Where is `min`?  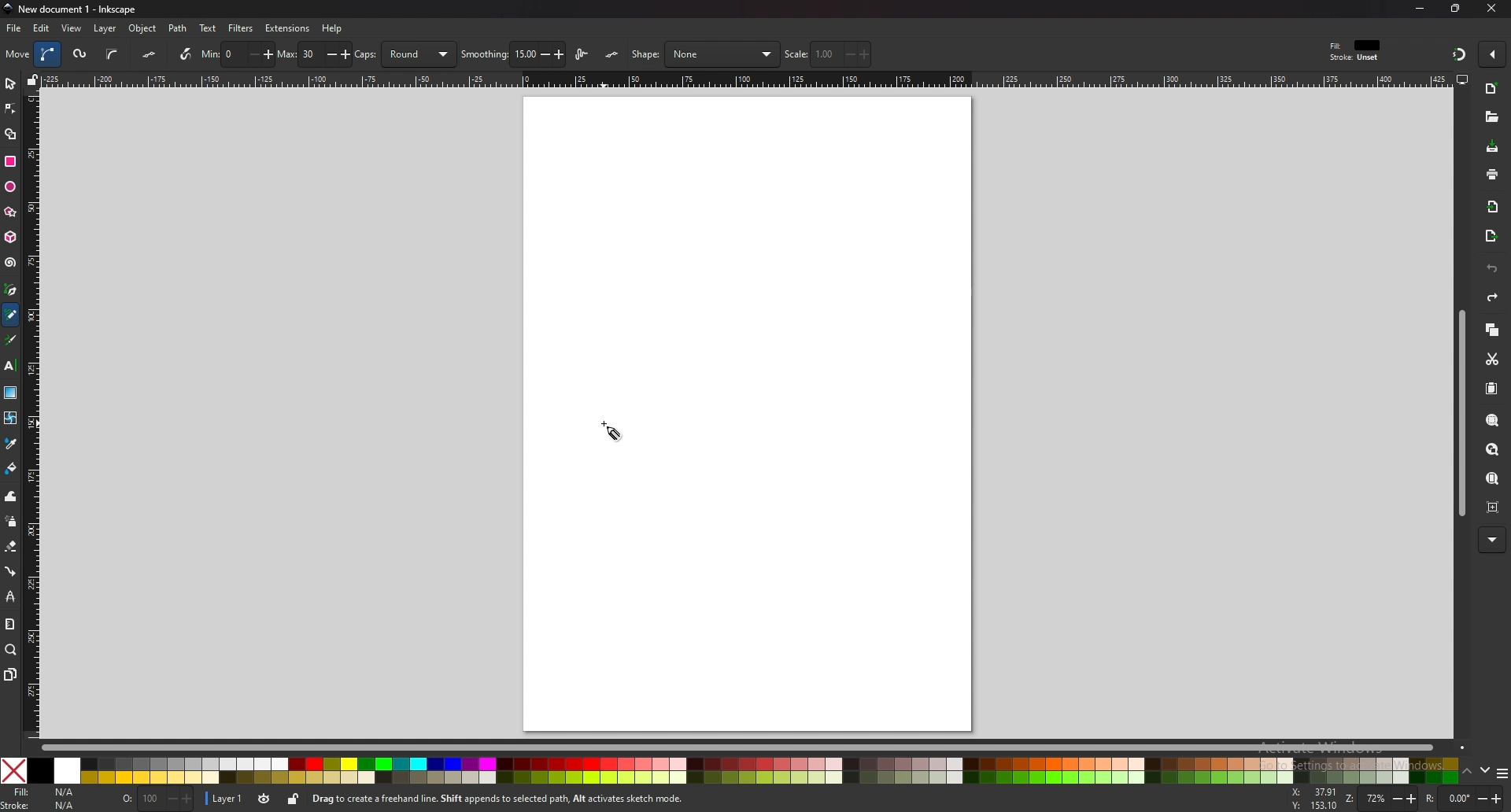 min is located at coordinates (238, 54).